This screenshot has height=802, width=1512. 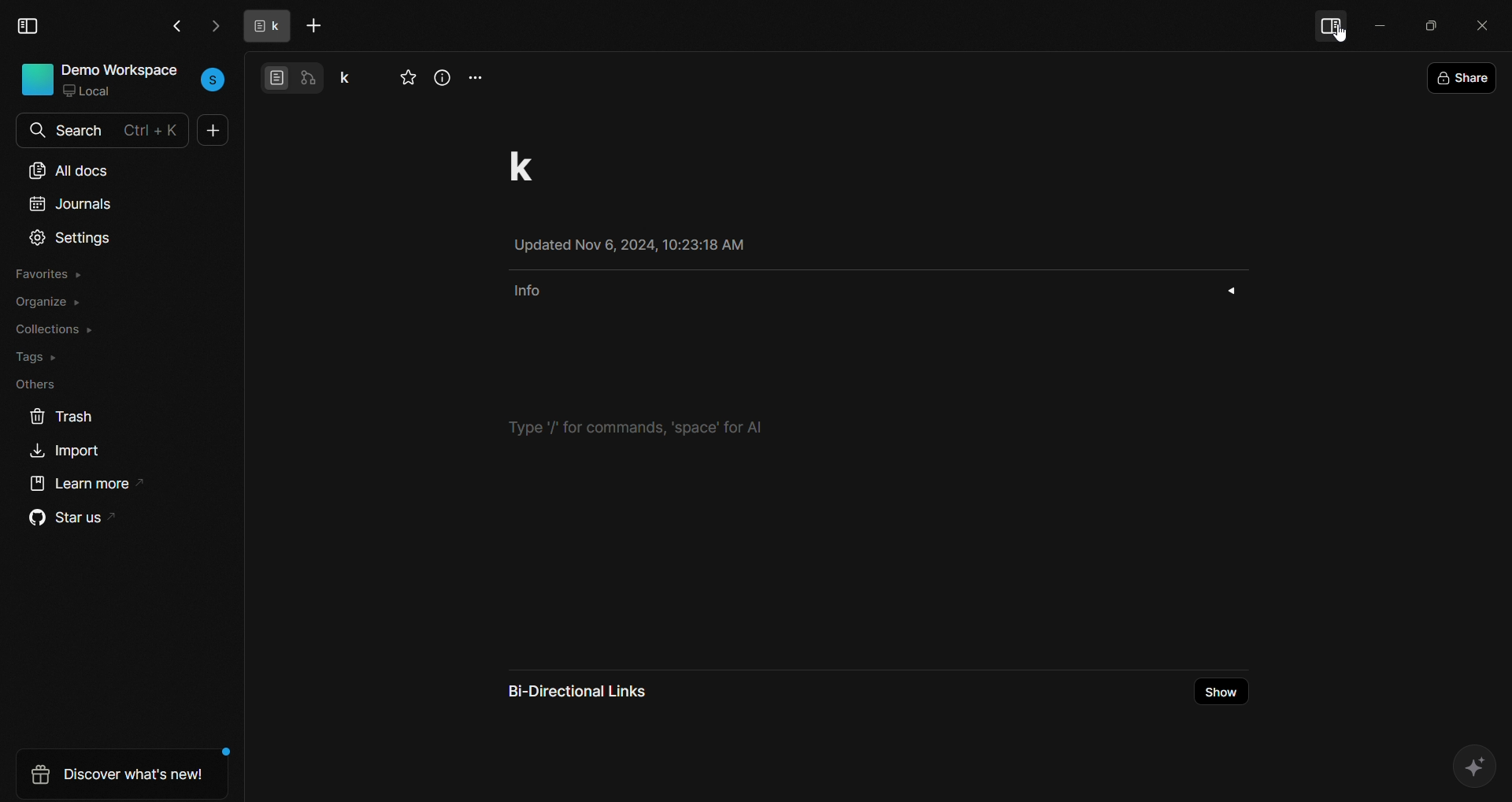 I want to click on more, so click(x=479, y=75).